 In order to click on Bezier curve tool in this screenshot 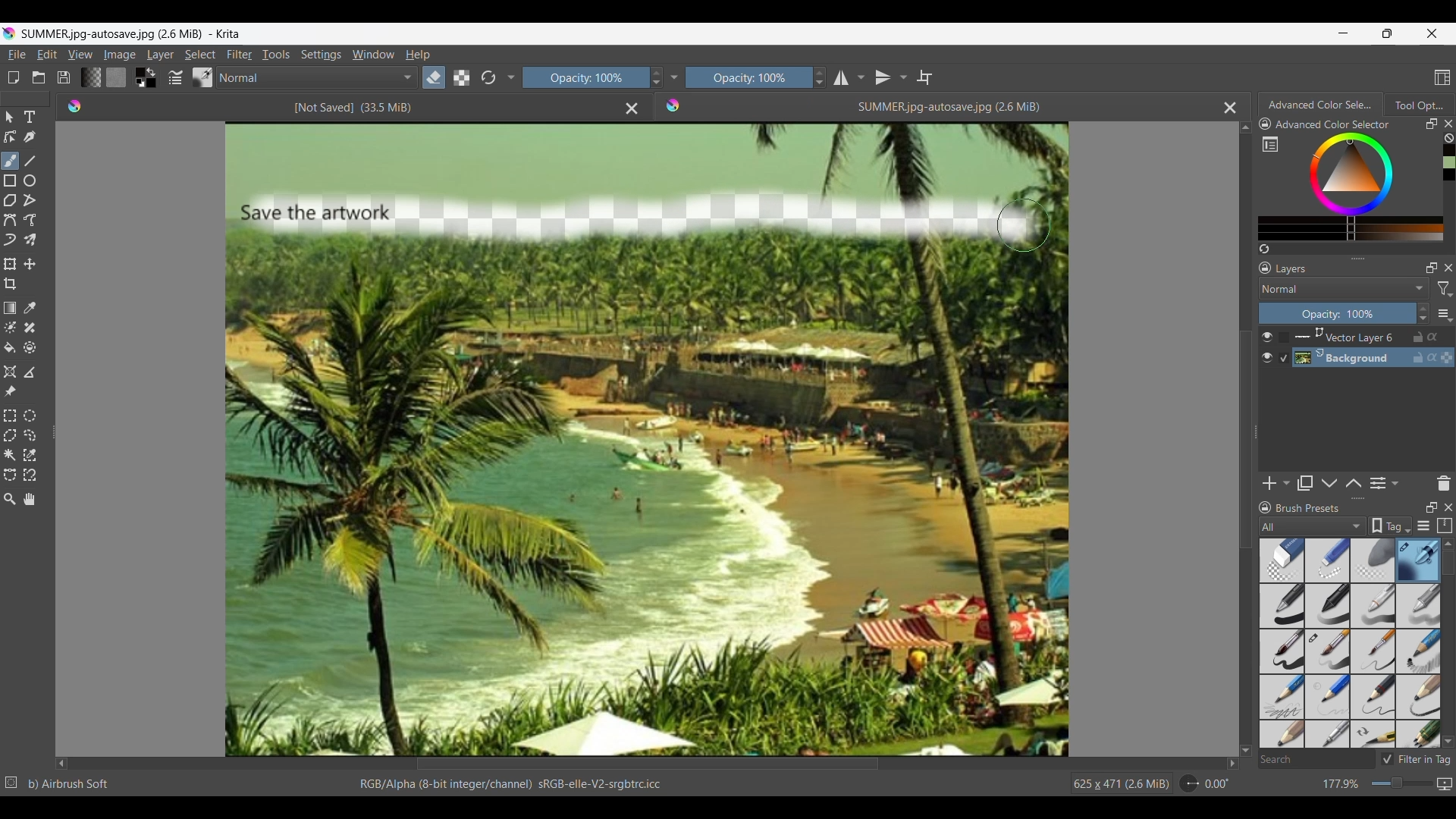, I will do `click(10, 220)`.